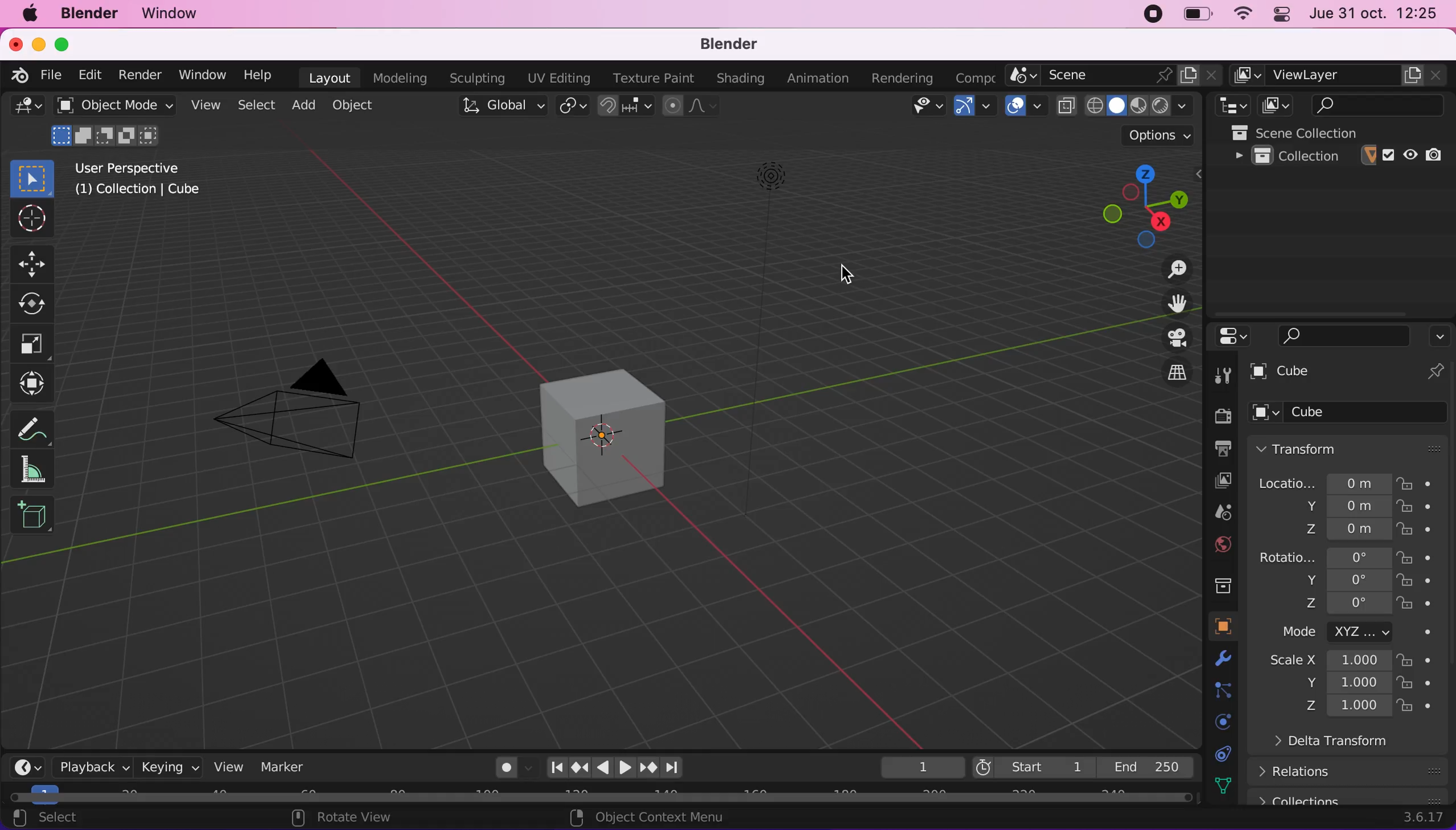  Describe the element at coordinates (397, 77) in the screenshot. I see `modeling` at that location.